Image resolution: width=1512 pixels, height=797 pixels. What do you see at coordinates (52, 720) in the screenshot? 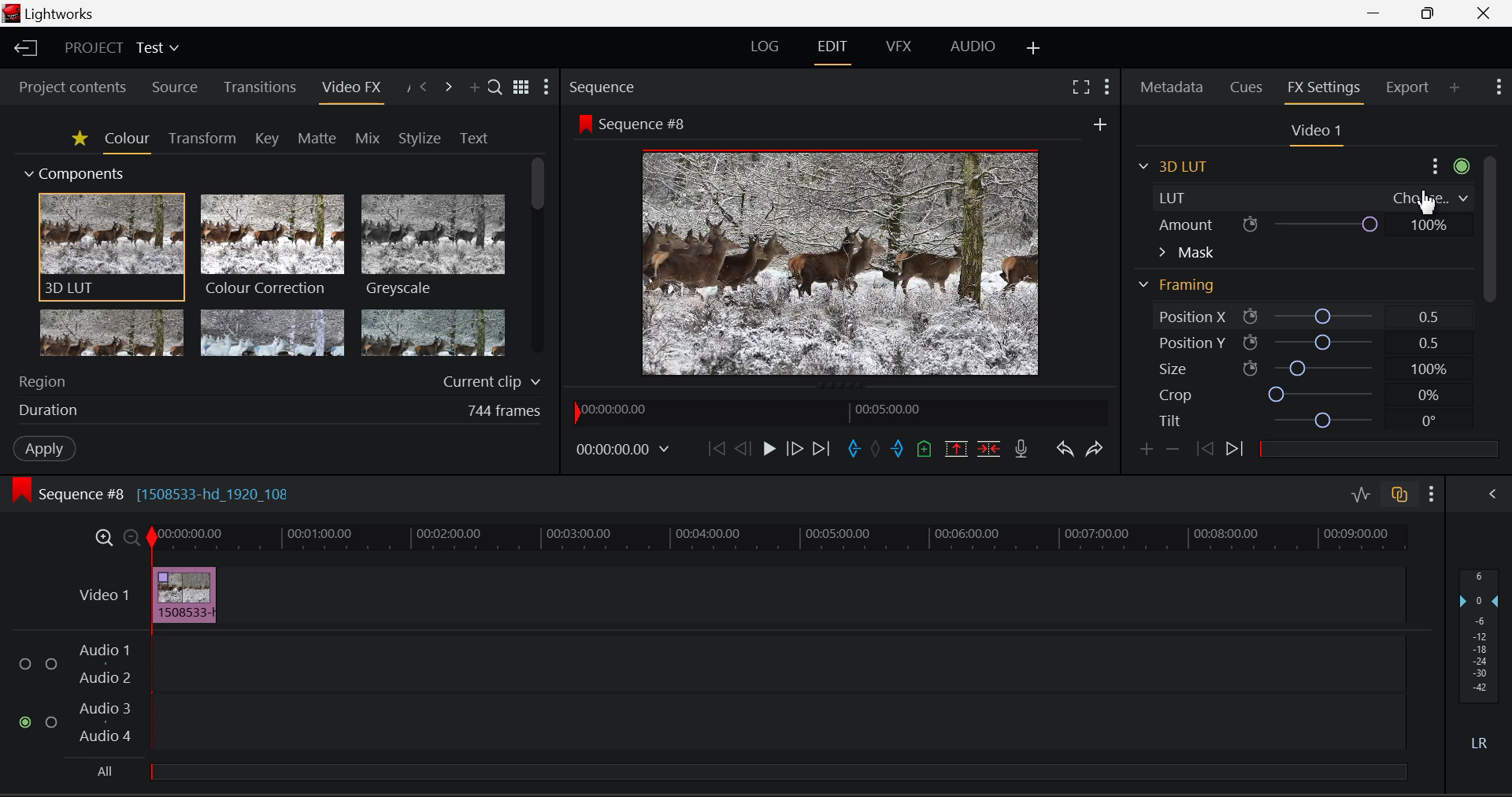
I see `Audio Input Checkbox` at bounding box center [52, 720].